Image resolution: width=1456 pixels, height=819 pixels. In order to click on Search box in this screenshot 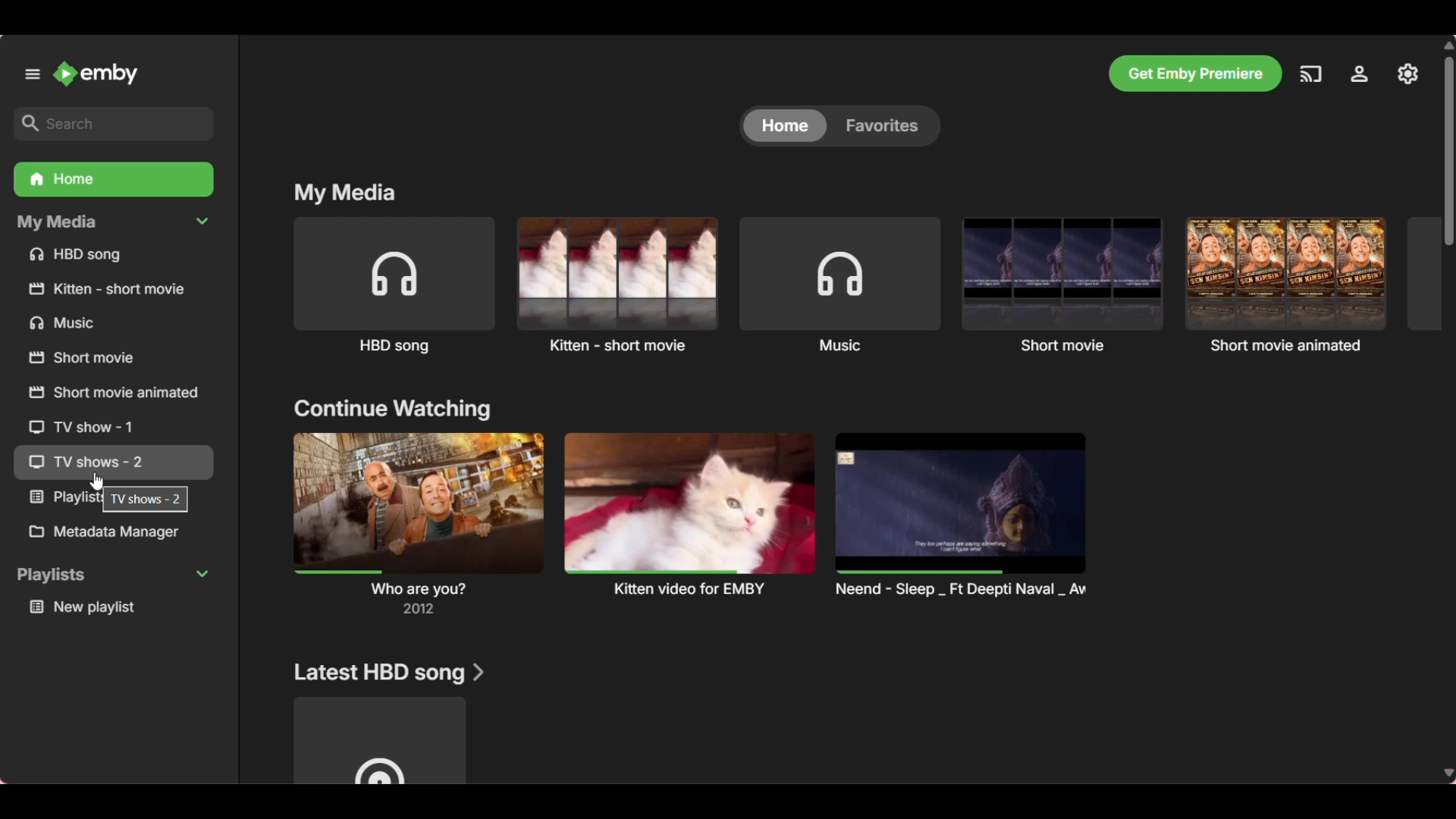, I will do `click(113, 124)`.